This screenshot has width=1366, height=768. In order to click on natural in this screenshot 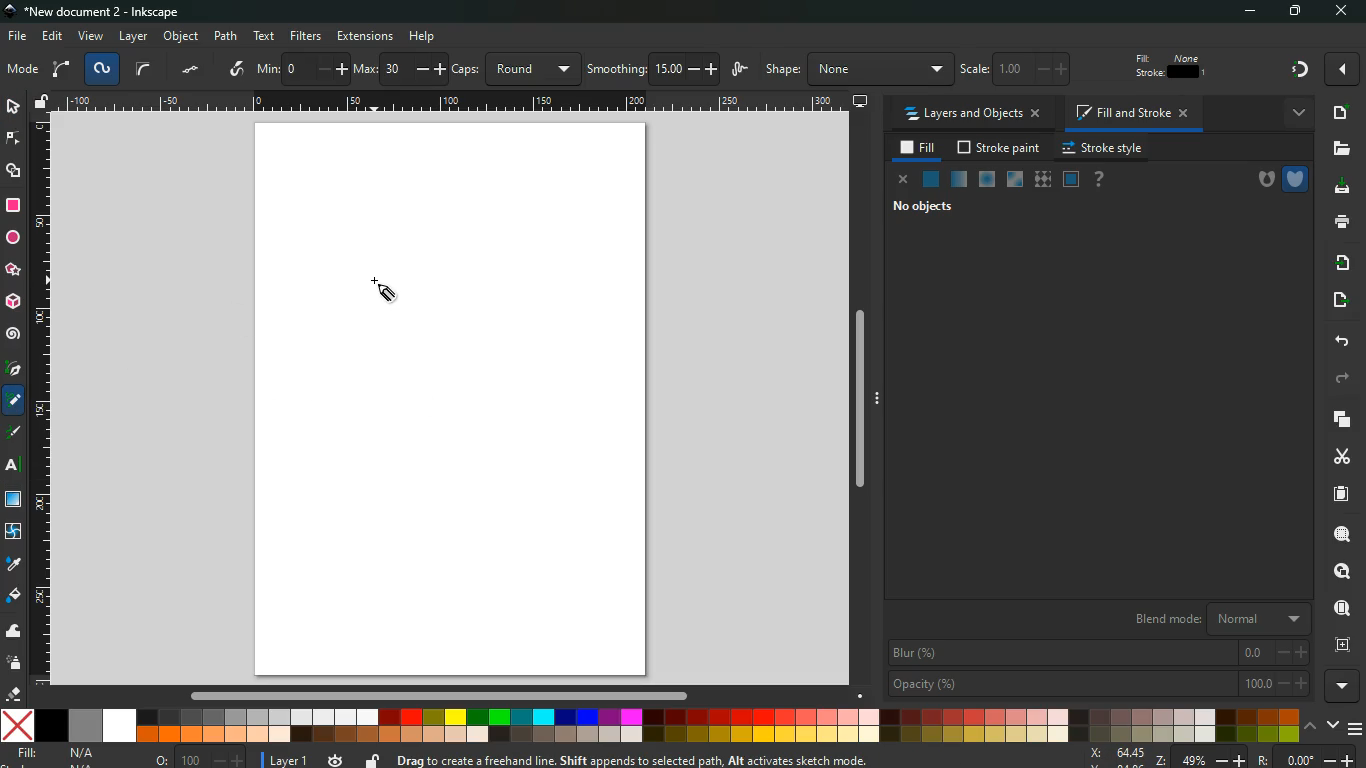, I will do `click(931, 178)`.